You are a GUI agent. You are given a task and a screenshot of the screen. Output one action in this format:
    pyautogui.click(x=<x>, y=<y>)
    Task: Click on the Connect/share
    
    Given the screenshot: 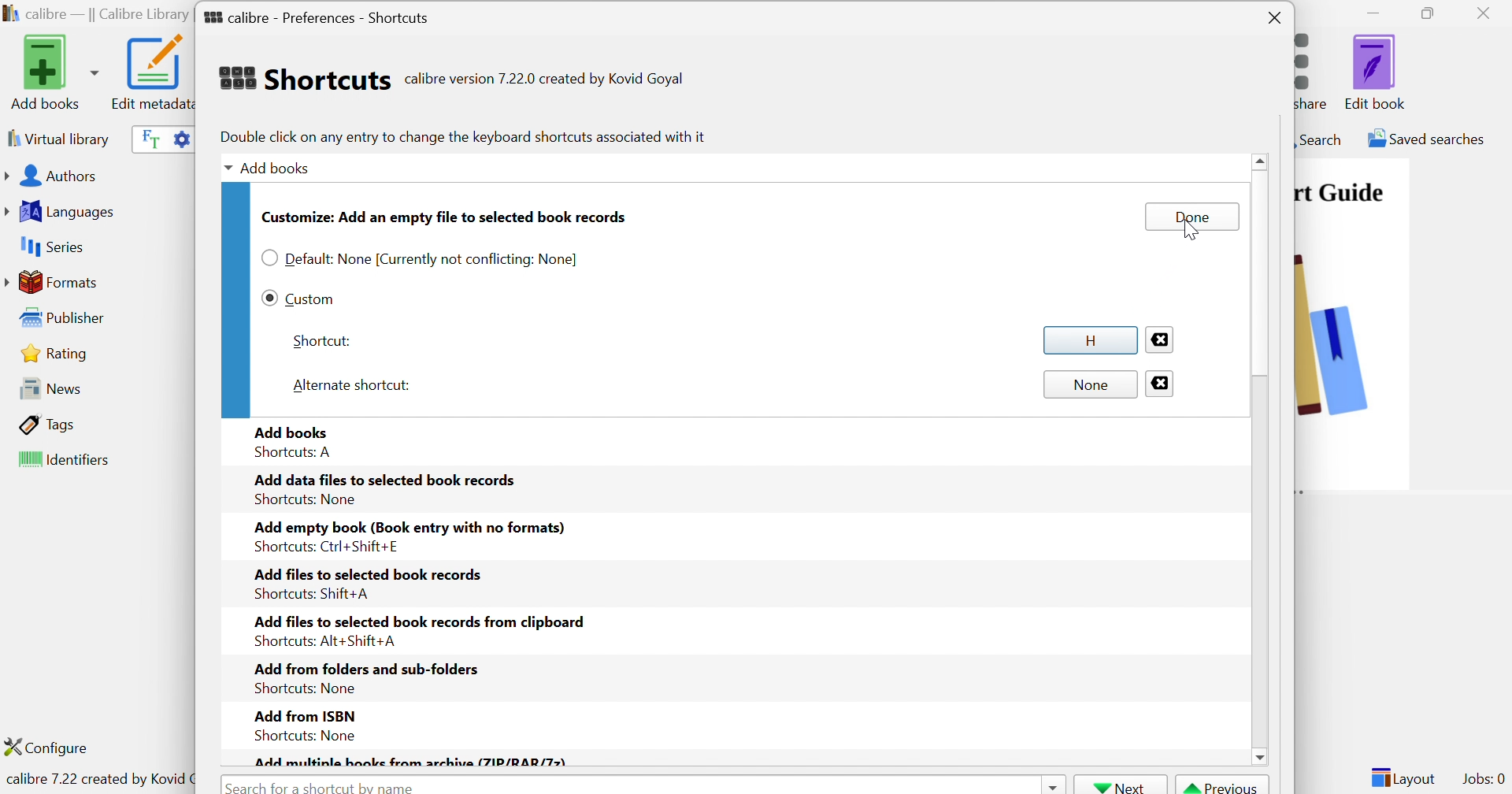 What is the action you would take?
    pyautogui.click(x=1316, y=68)
    